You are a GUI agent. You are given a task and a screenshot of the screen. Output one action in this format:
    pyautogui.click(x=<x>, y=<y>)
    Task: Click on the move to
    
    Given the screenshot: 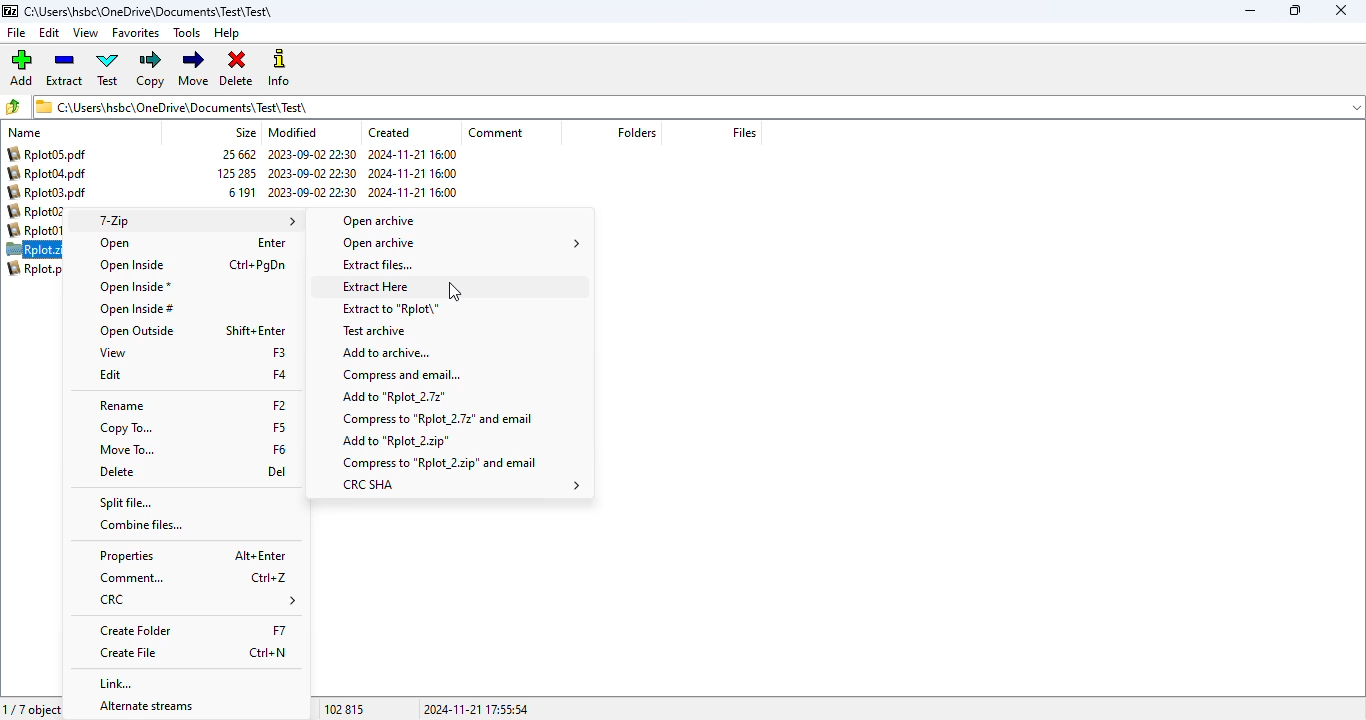 What is the action you would take?
    pyautogui.click(x=126, y=449)
    